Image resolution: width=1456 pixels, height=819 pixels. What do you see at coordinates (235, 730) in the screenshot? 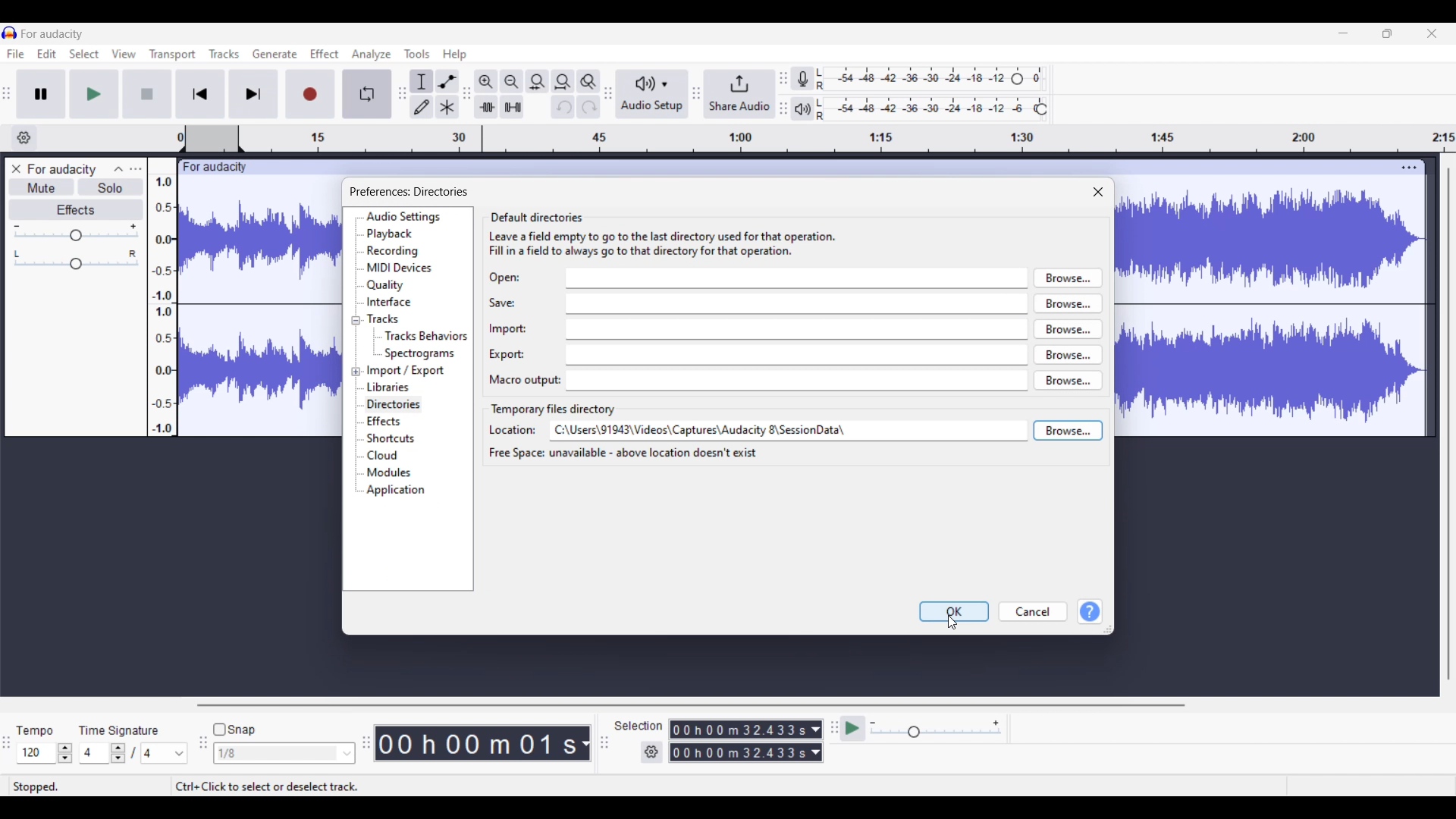
I see `Snap toggle` at bounding box center [235, 730].